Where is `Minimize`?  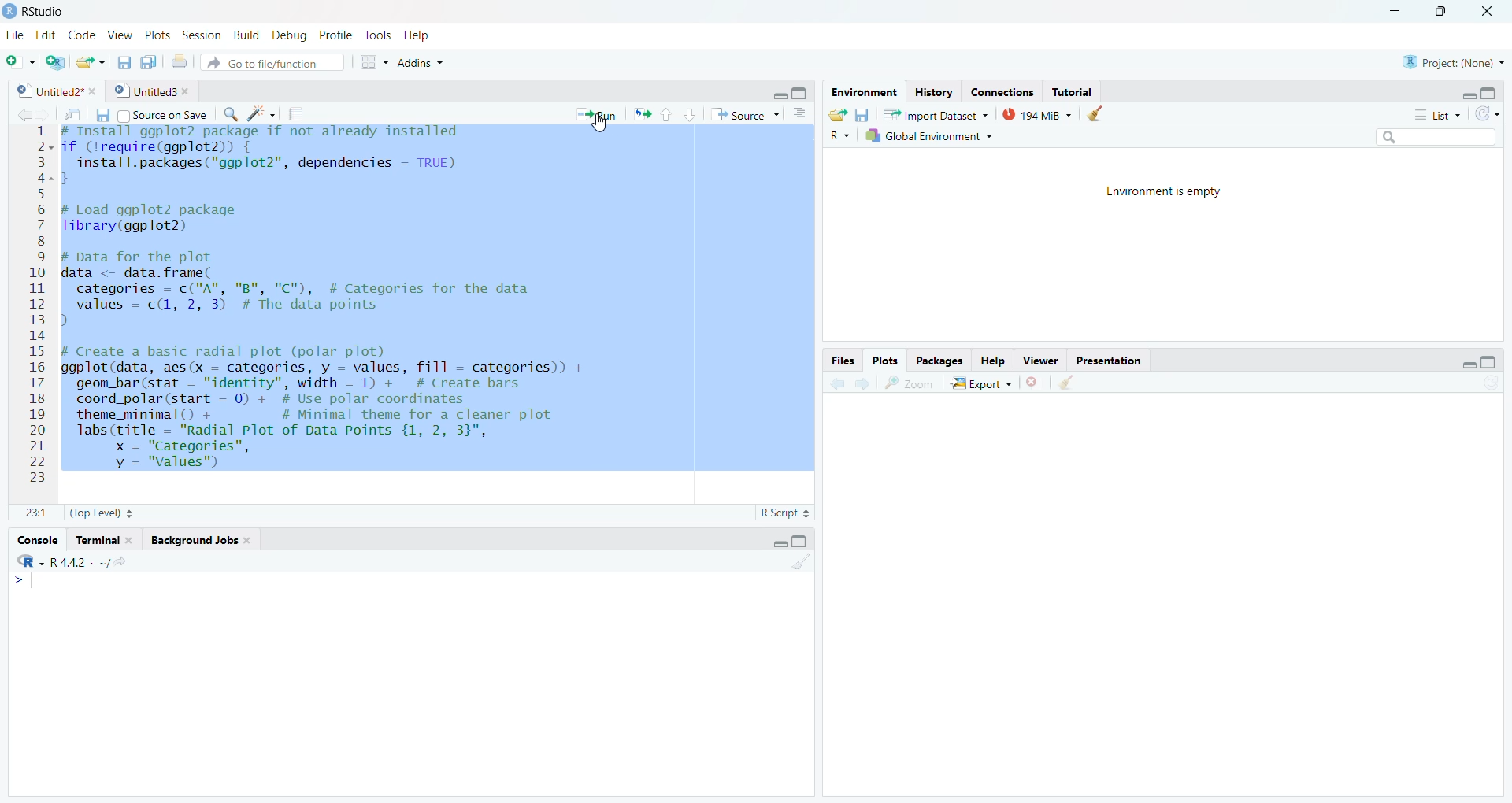
Minimize is located at coordinates (1398, 12).